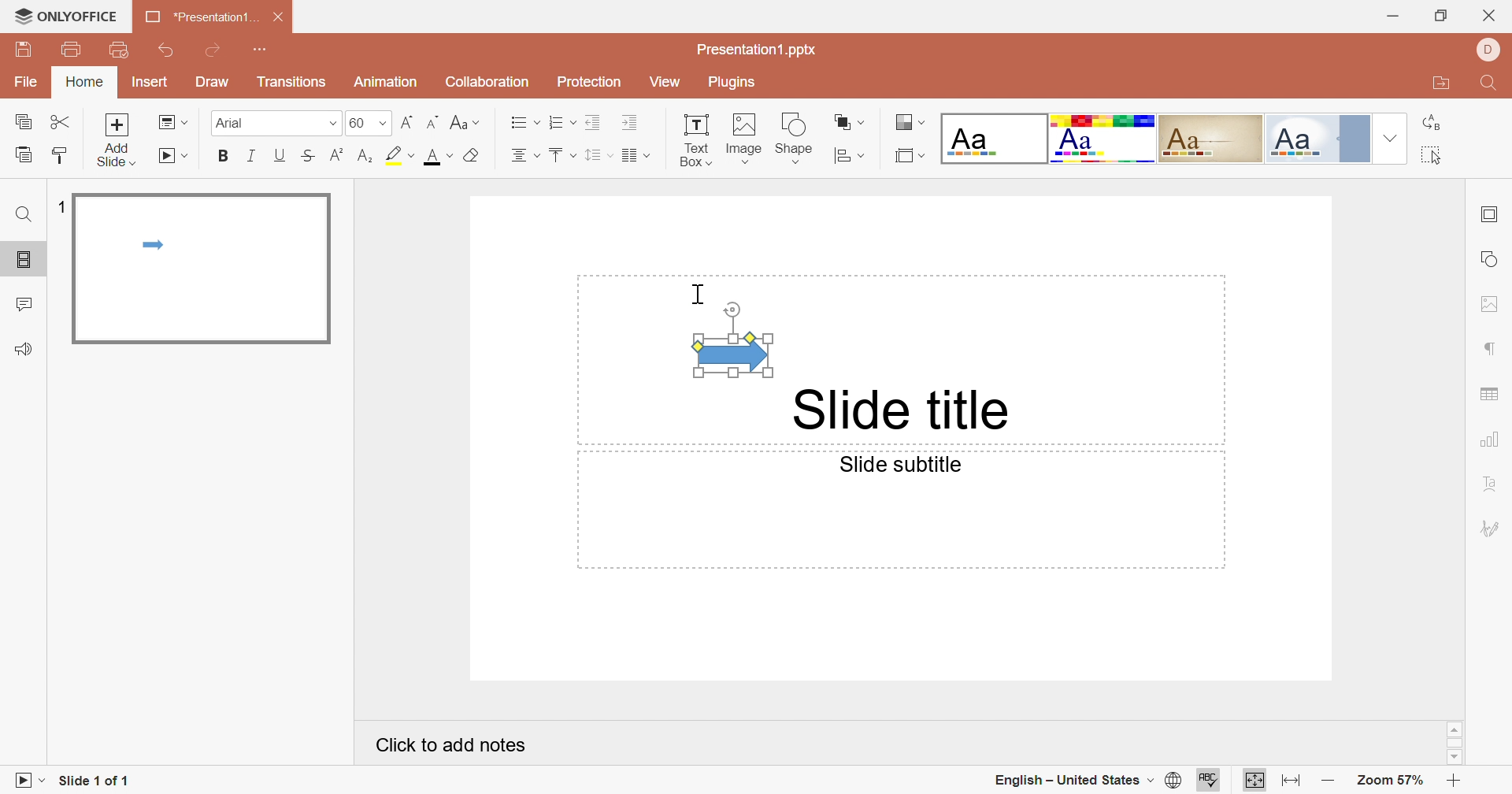 The image size is (1512, 794). Describe the element at coordinates (1455, 744) in the screenshot. I see `Scroll bar` at that location.